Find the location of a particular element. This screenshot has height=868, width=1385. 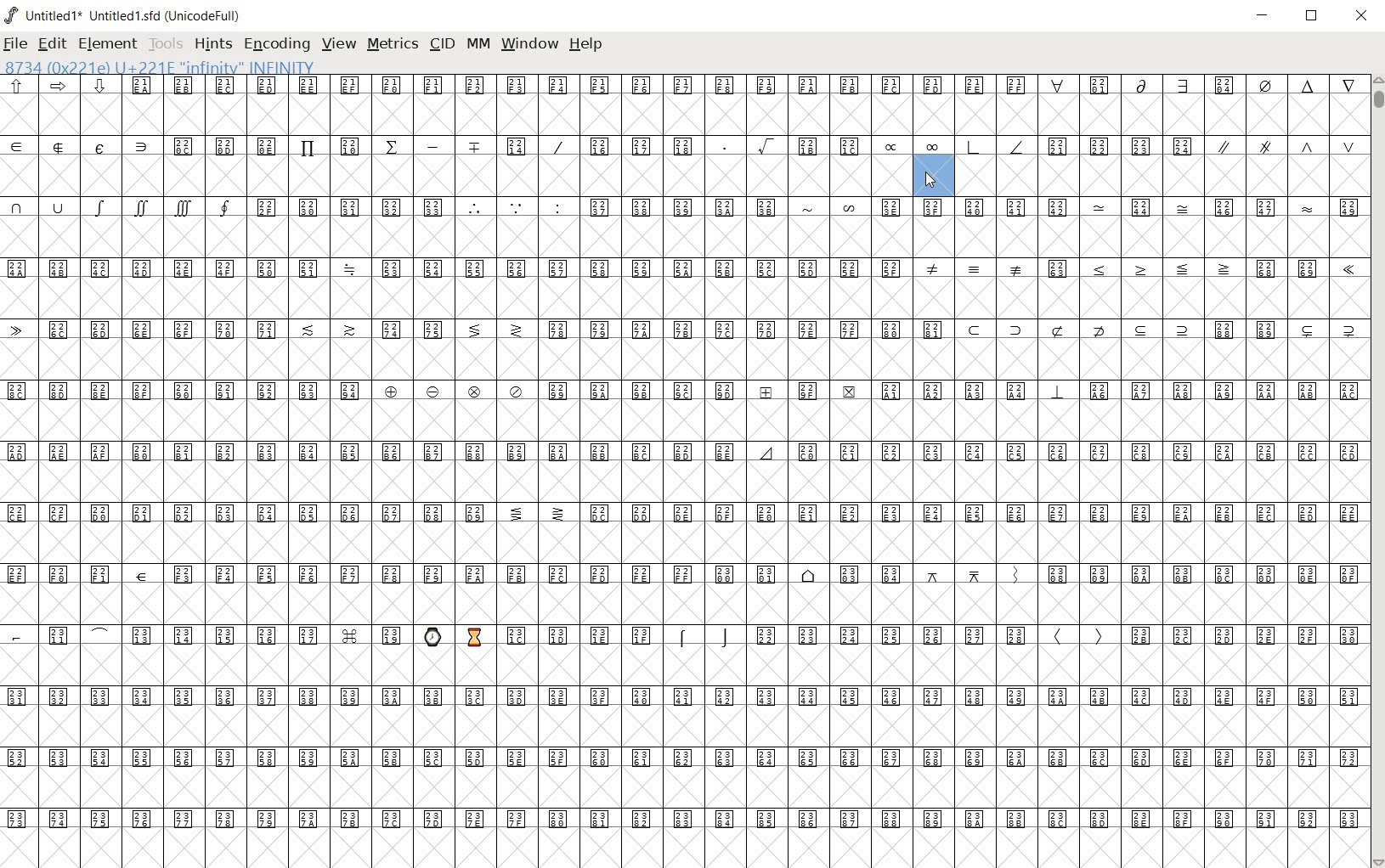

symbols is located at coordinates (1164, 268).